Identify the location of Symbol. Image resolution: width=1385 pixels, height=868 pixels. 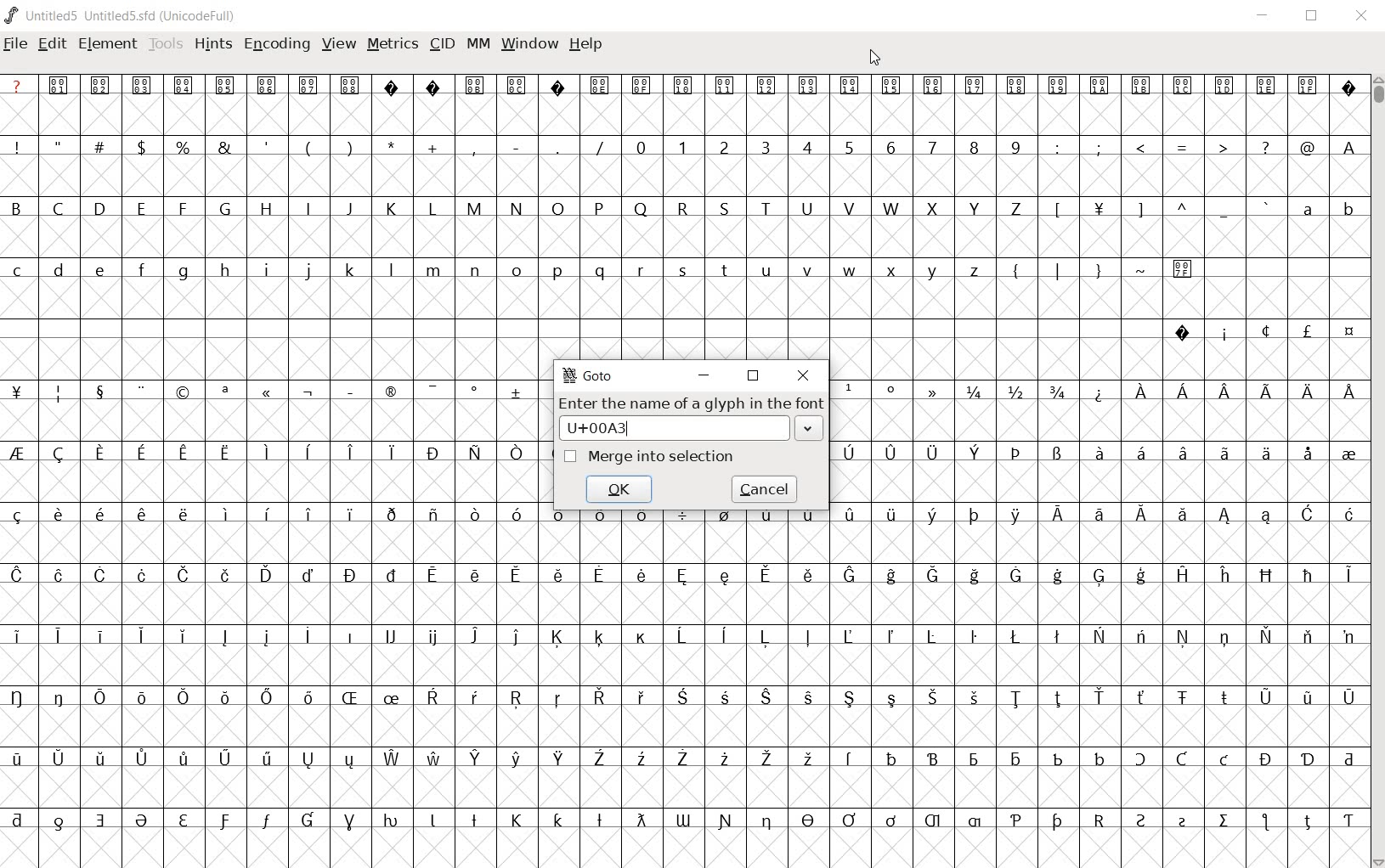
(308, 637).